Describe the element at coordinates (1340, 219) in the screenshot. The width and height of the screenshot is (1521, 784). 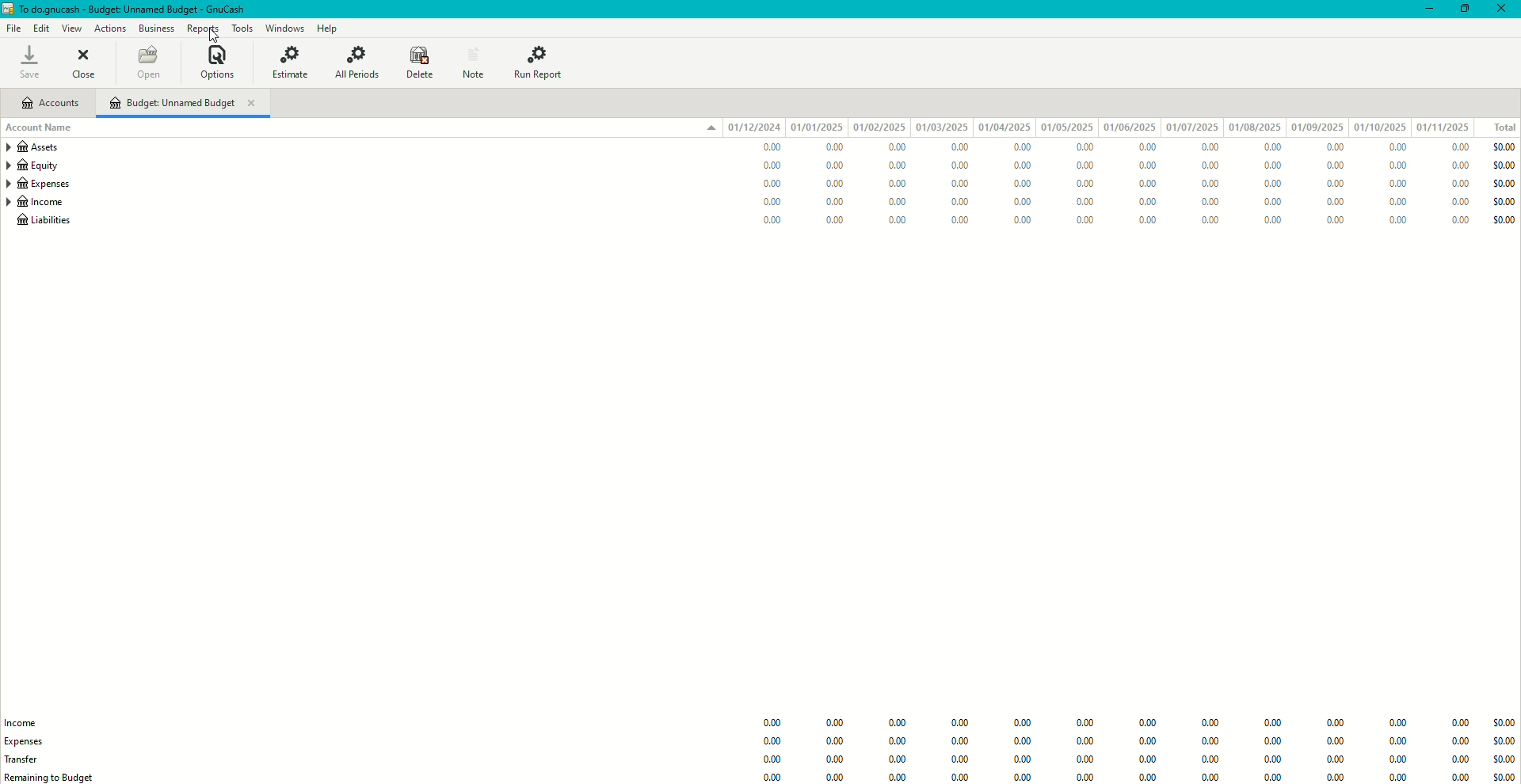
I see `0.00` at that location.